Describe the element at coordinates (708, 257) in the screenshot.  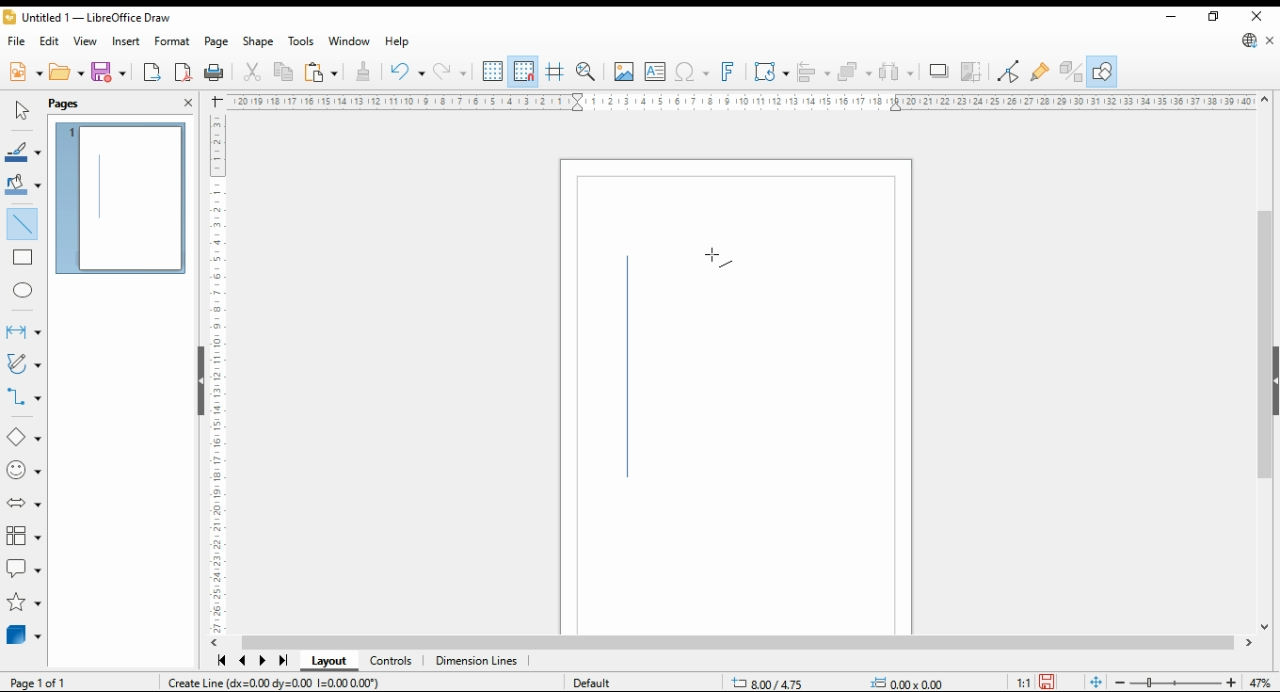
I see `mouse pointer` at that location.